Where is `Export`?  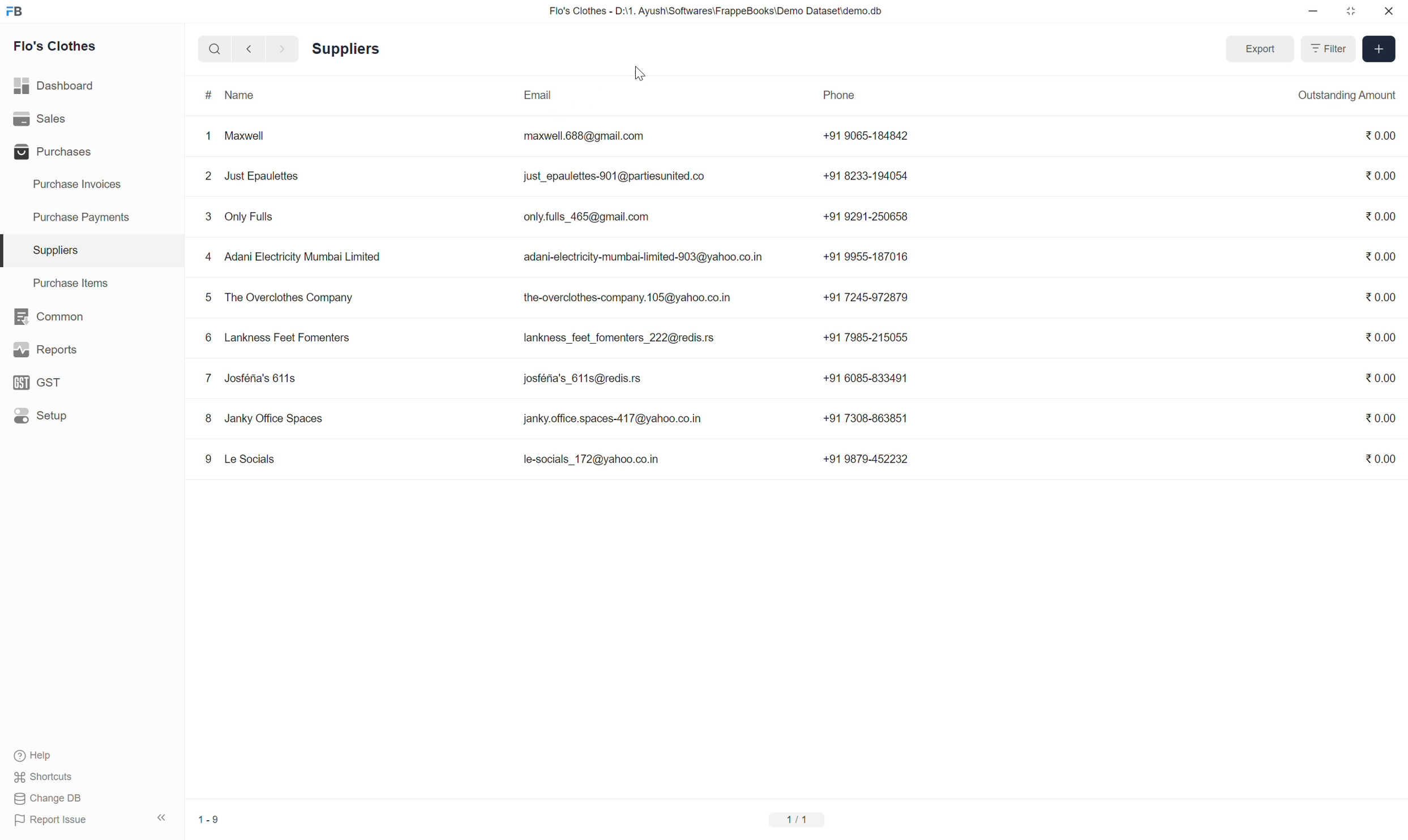 Export is located at coordinates (1260, 49).